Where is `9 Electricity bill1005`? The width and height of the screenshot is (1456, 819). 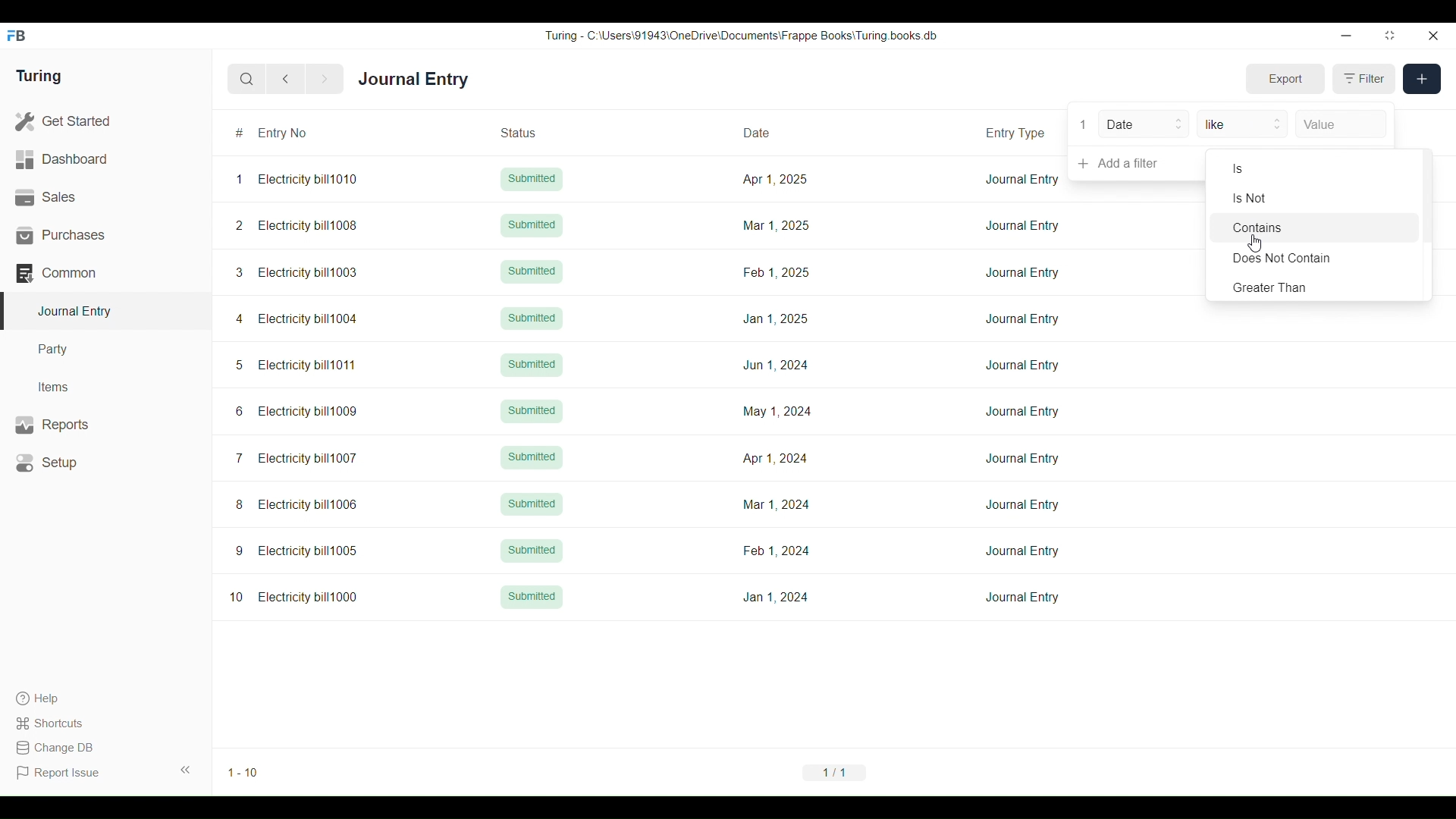 9 Electricity bill1005 is located at coordinates (297, 551).